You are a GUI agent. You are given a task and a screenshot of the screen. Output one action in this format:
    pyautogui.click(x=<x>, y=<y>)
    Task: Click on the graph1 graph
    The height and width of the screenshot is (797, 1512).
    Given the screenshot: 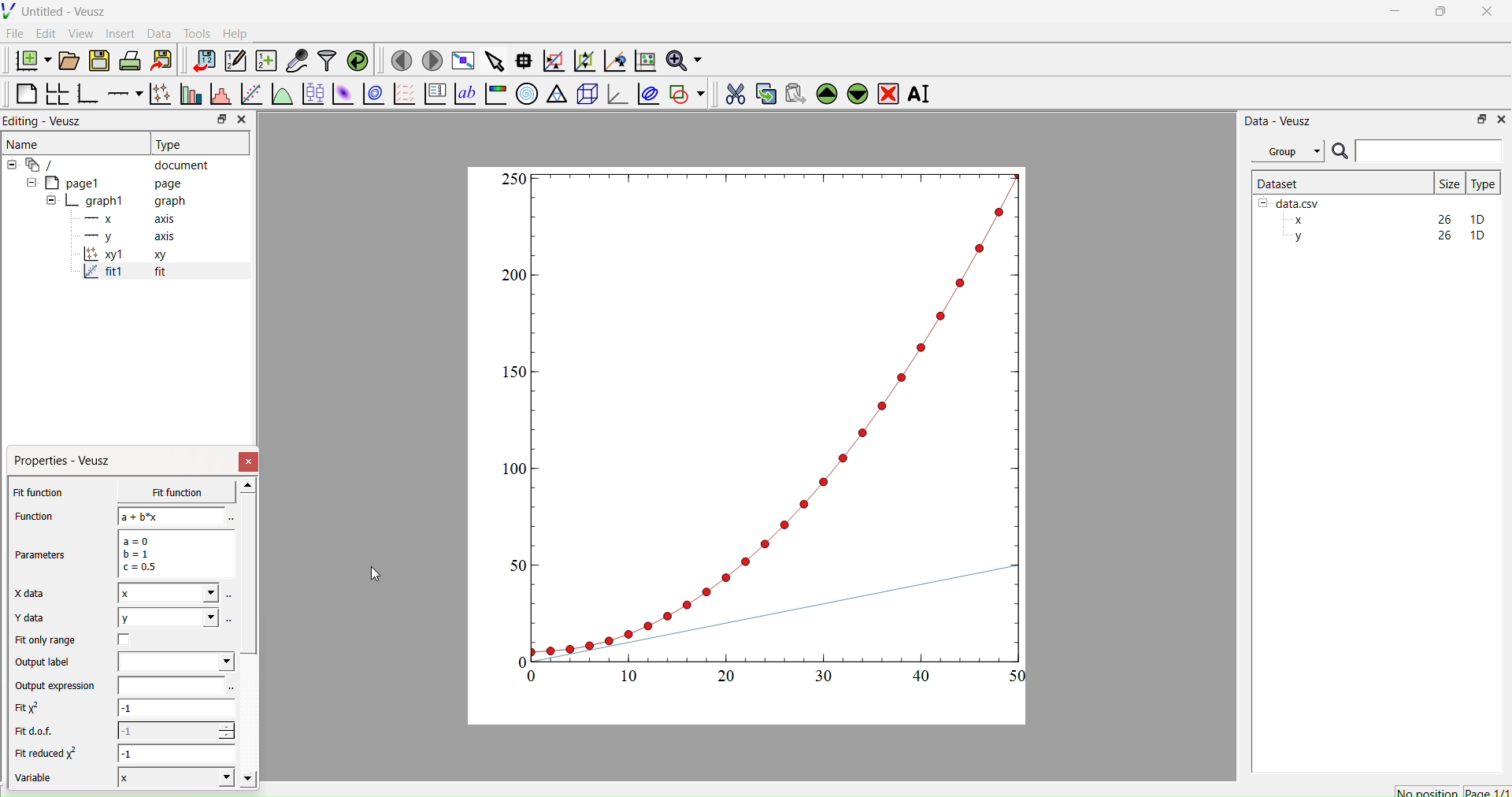 What is the action you would take?
    pyautogui.click(x=117, y=202)
    